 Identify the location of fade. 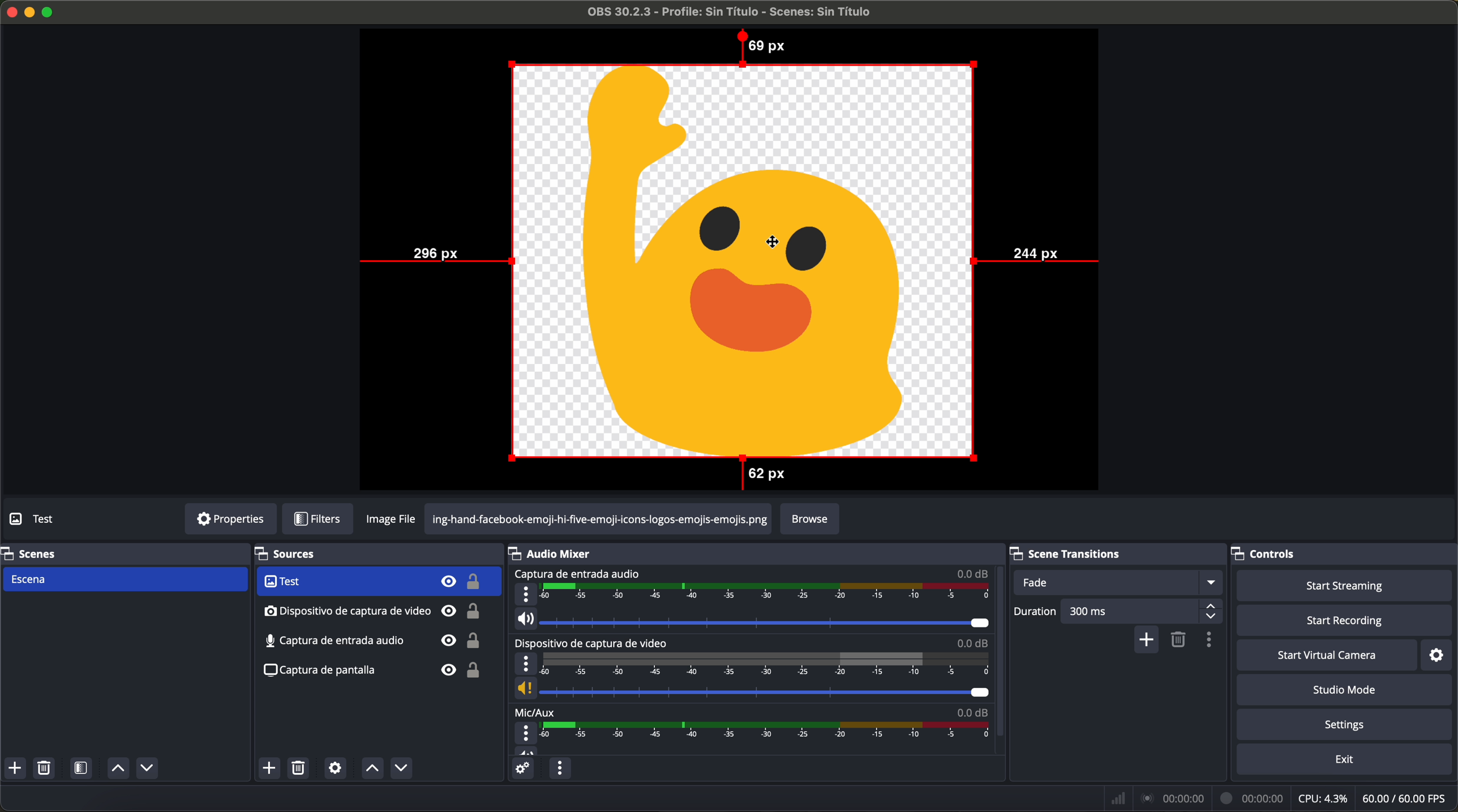
(1116, 582).